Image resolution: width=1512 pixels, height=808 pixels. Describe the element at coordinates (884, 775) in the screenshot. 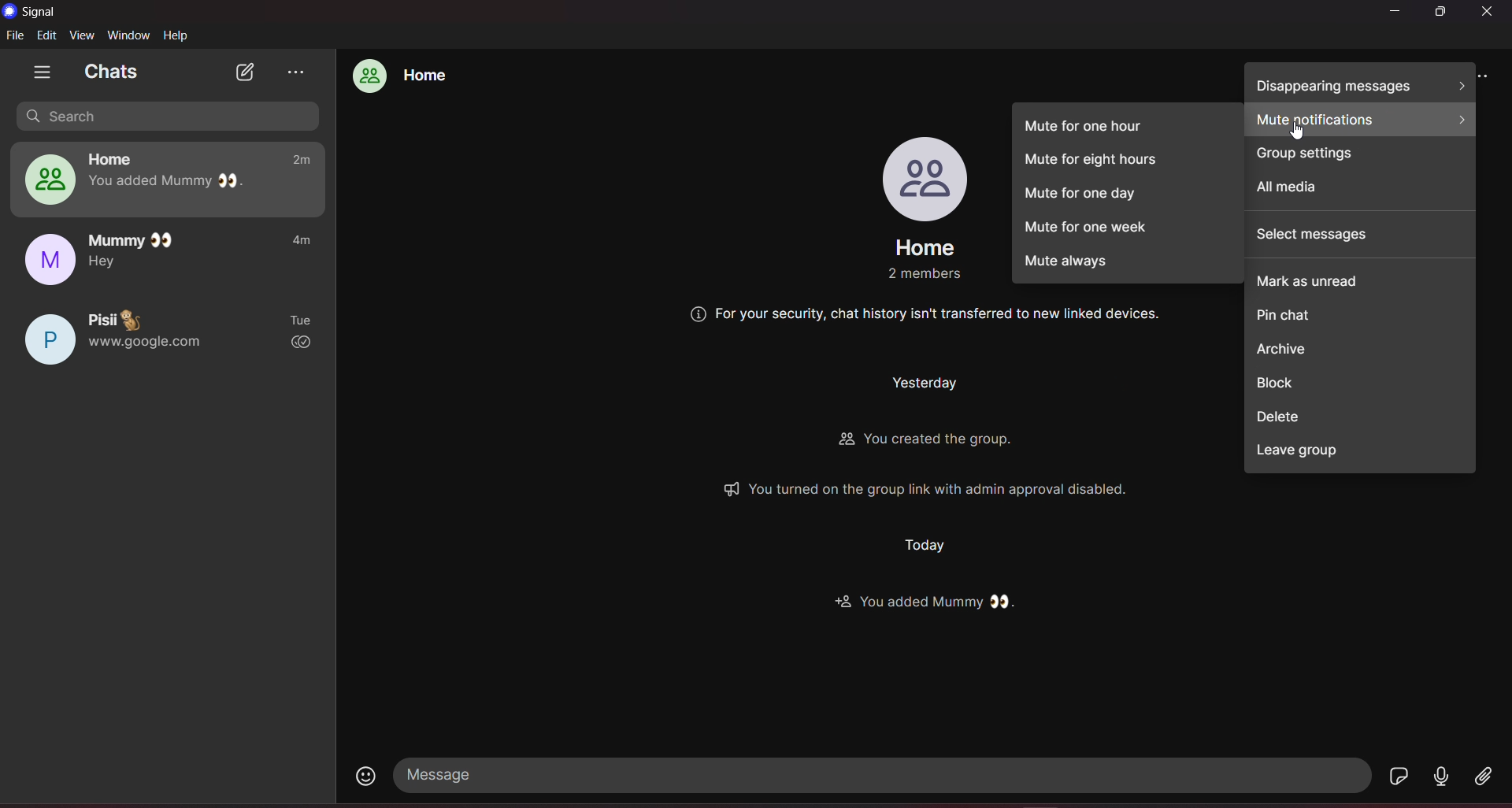

I see `message` at that location.